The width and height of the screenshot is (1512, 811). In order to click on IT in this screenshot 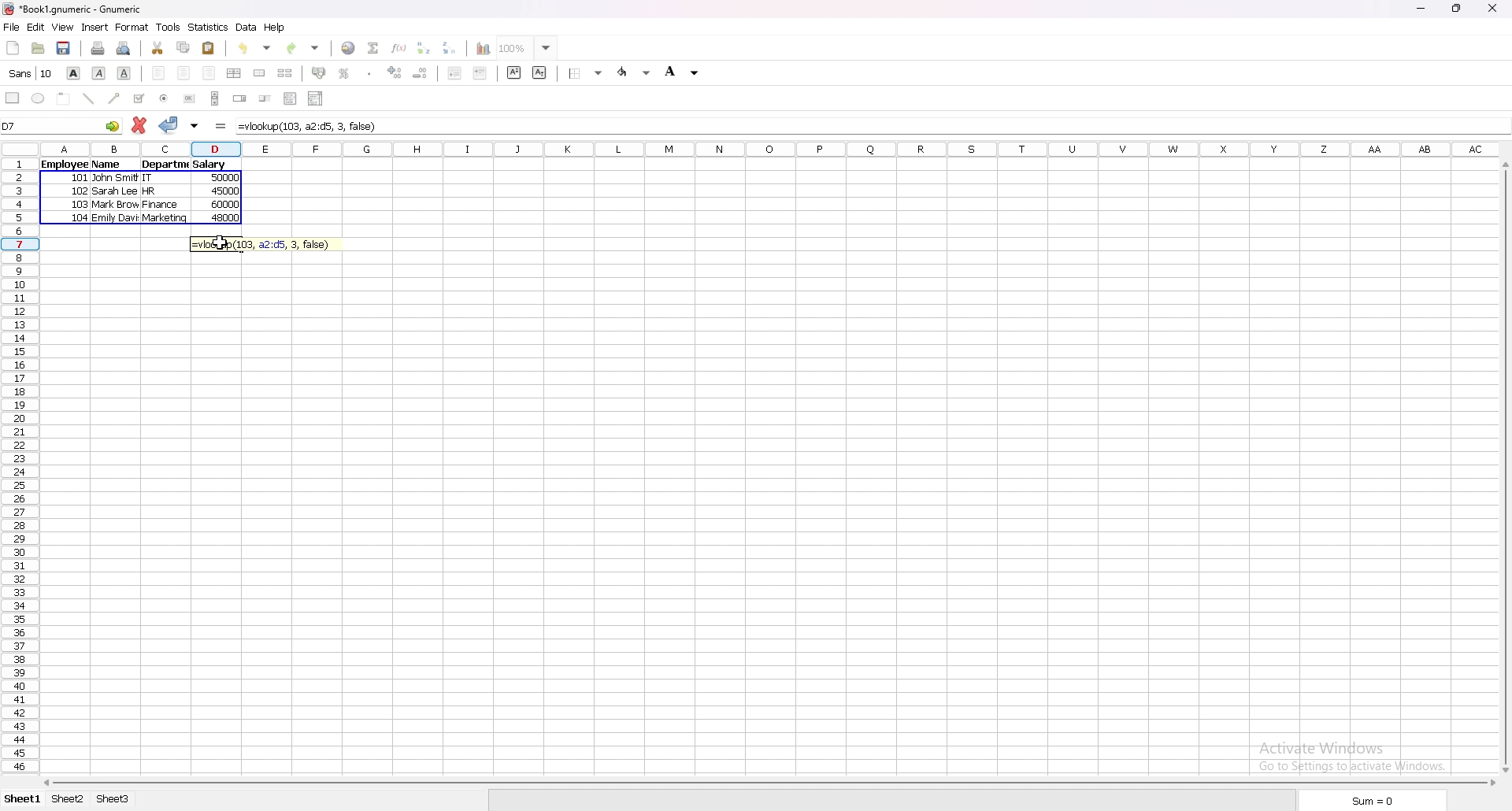, I will do `click(155, 180)`.